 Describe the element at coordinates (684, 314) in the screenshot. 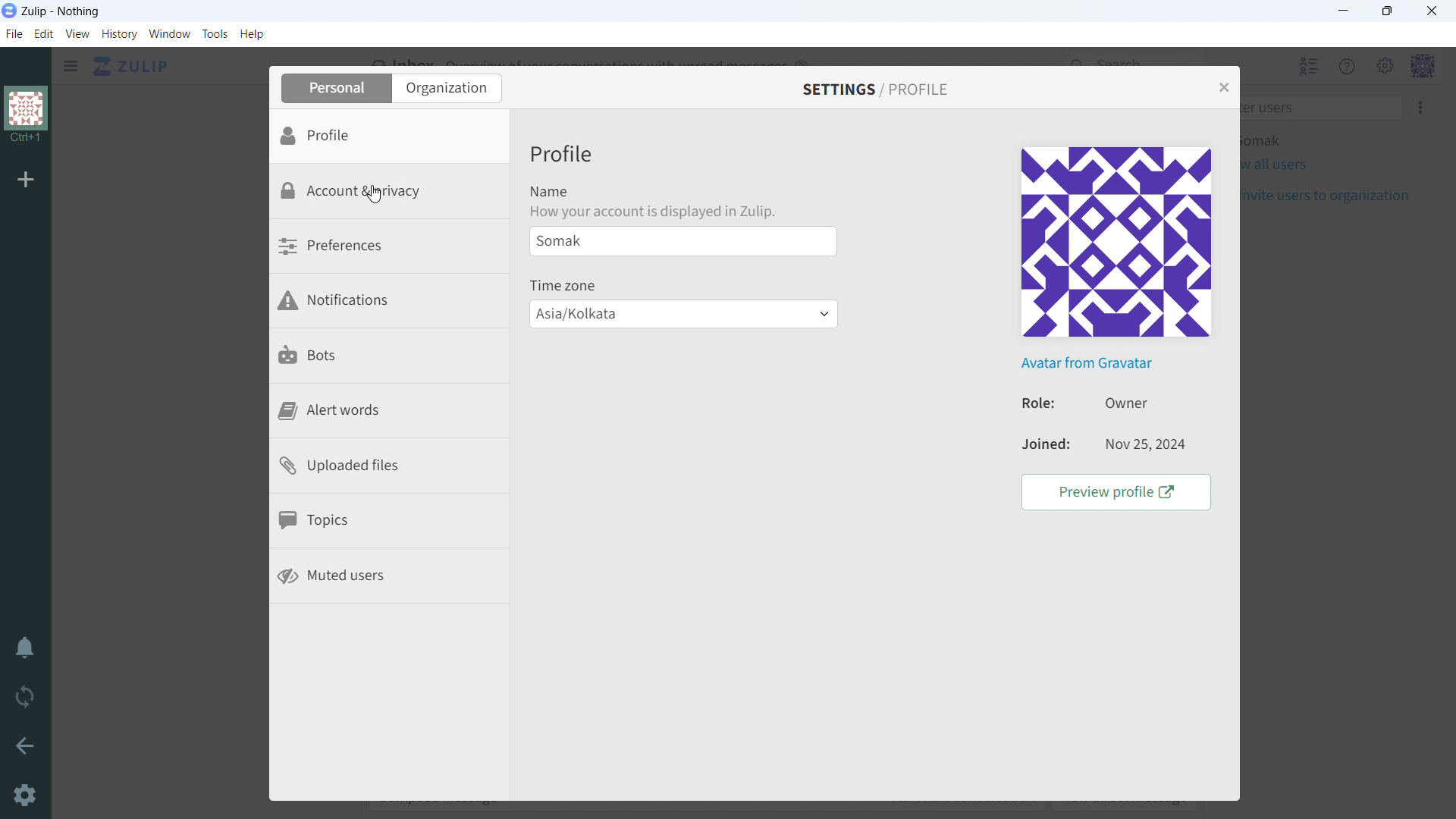

I see `timezone` at that location.